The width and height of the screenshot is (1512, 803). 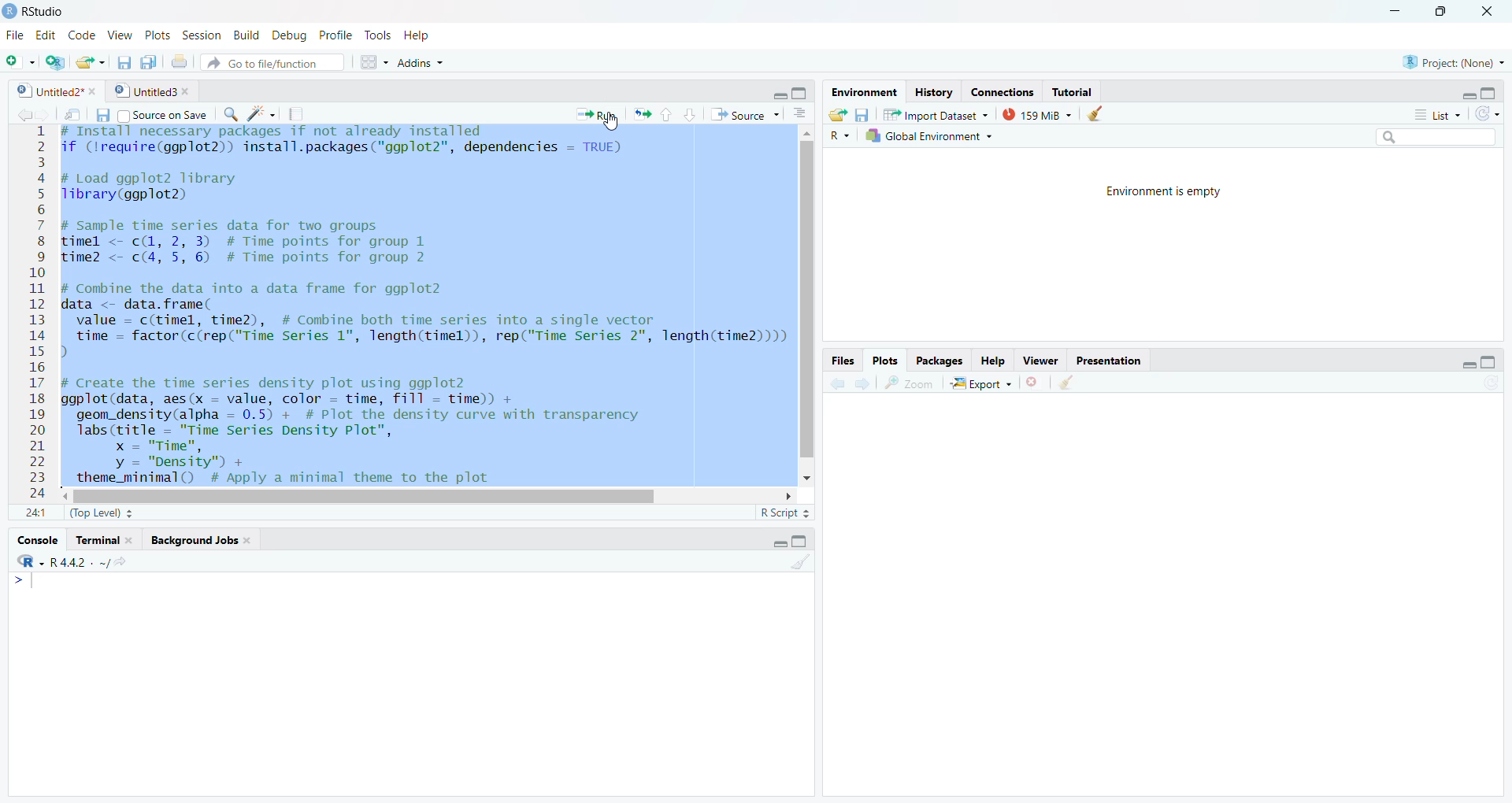 I want to click on Rows, so click(x=34, y=315).